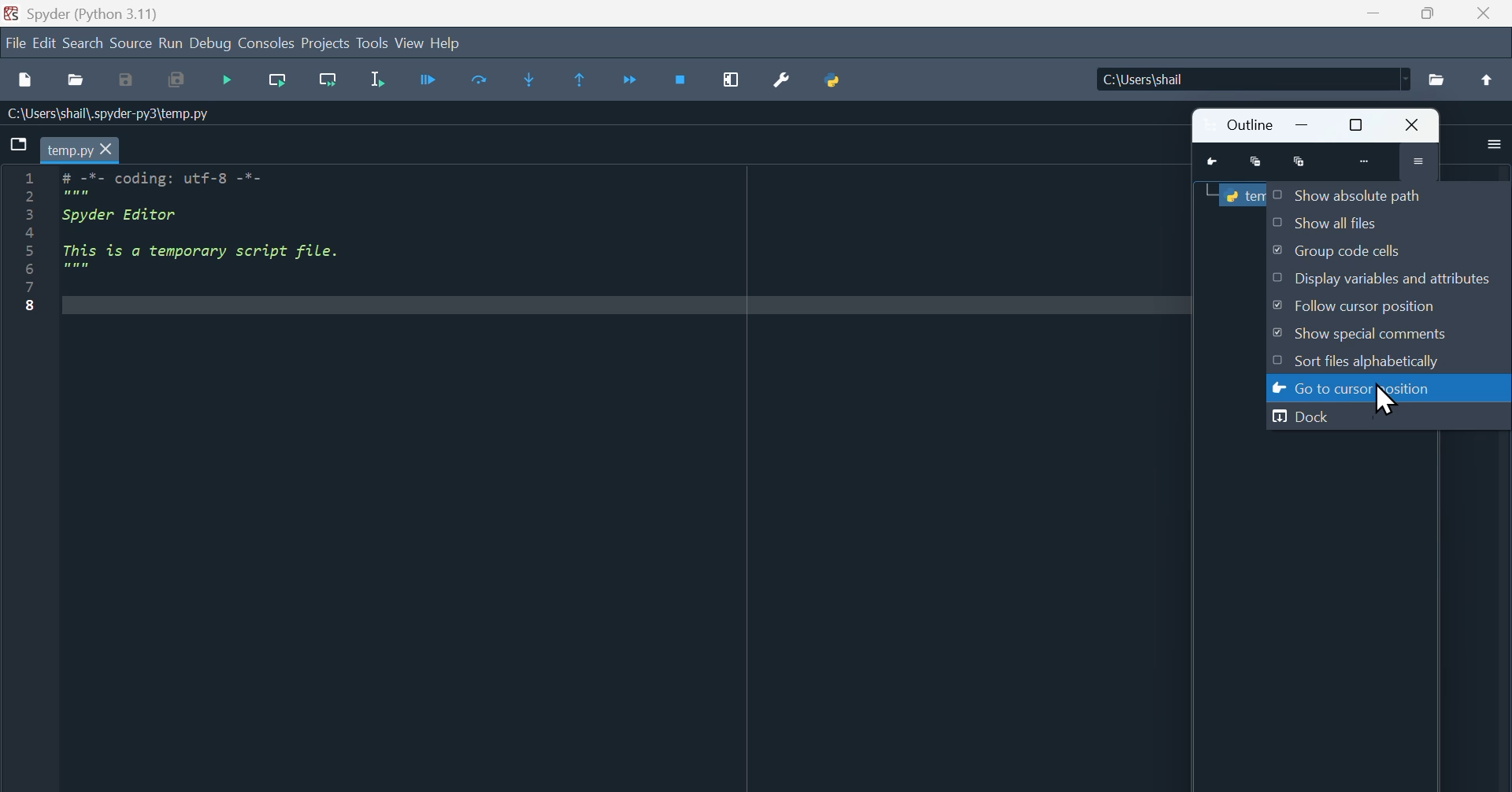 The height and width of the screenshot is (792, 1512). Describe the element at coordinates (1306, 416) in the screenshot. I see `Dock` at that location.